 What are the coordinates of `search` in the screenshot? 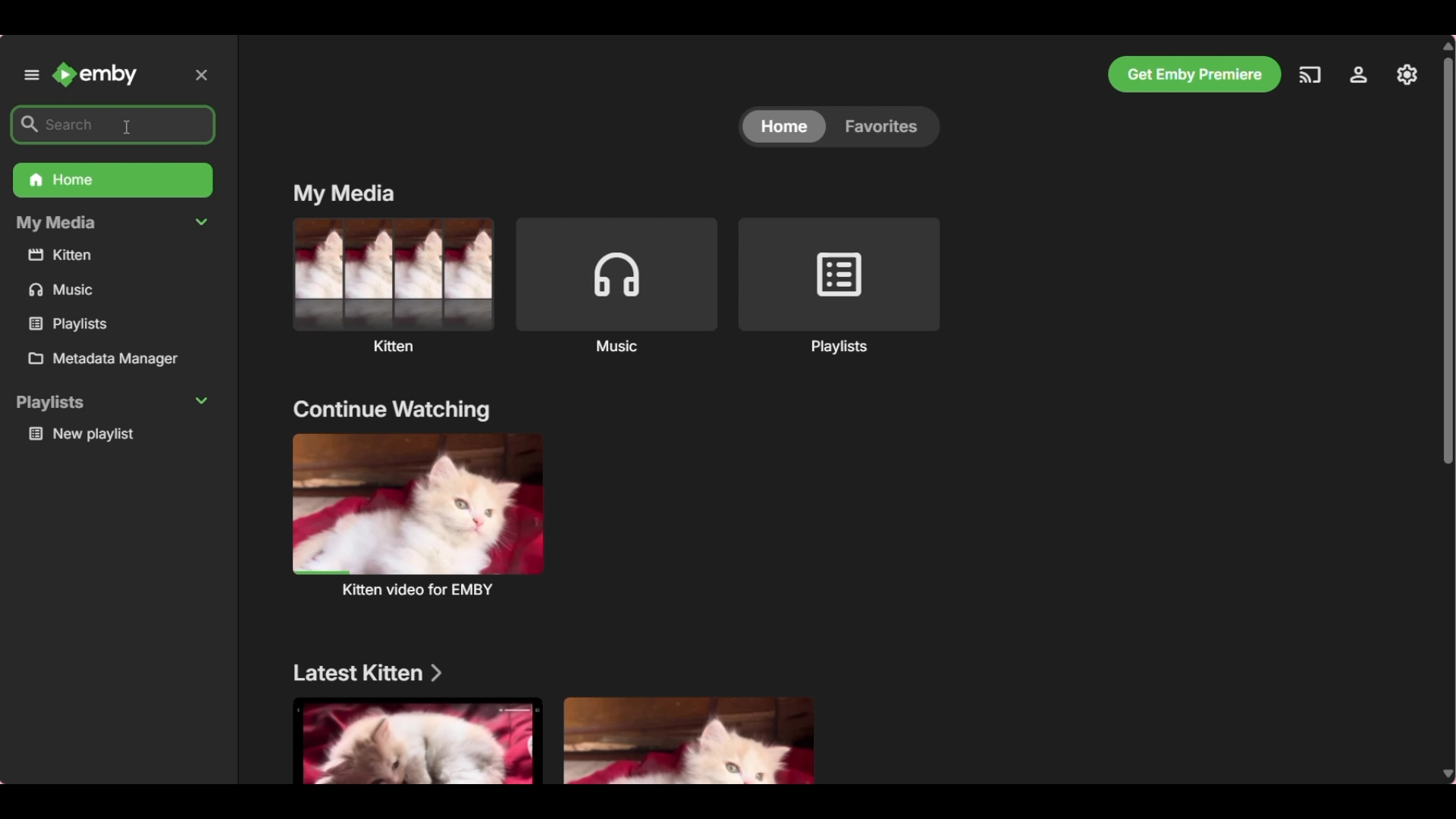 It's located at (115, 123).